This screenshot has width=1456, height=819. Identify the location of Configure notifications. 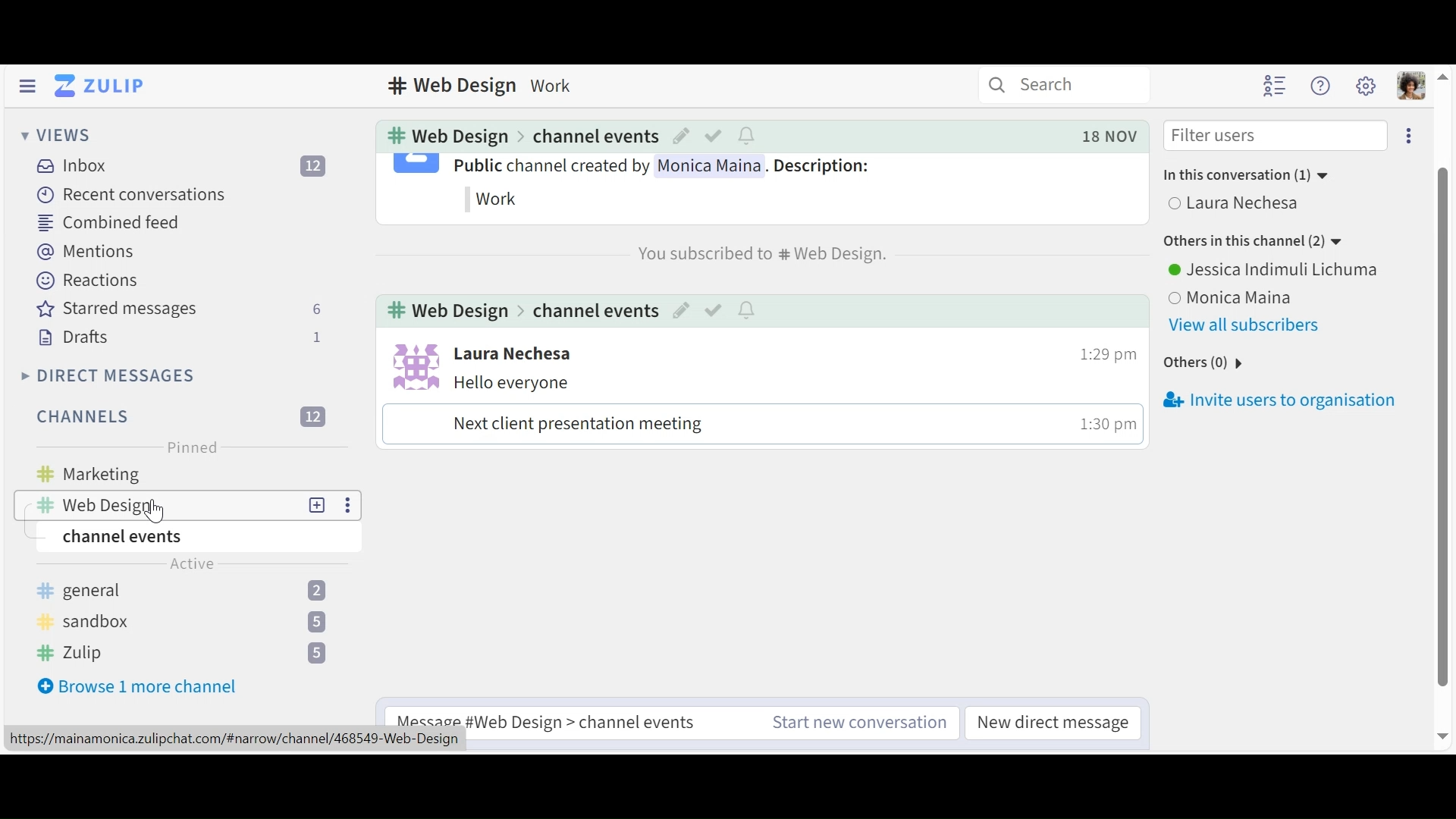
(748, 309).